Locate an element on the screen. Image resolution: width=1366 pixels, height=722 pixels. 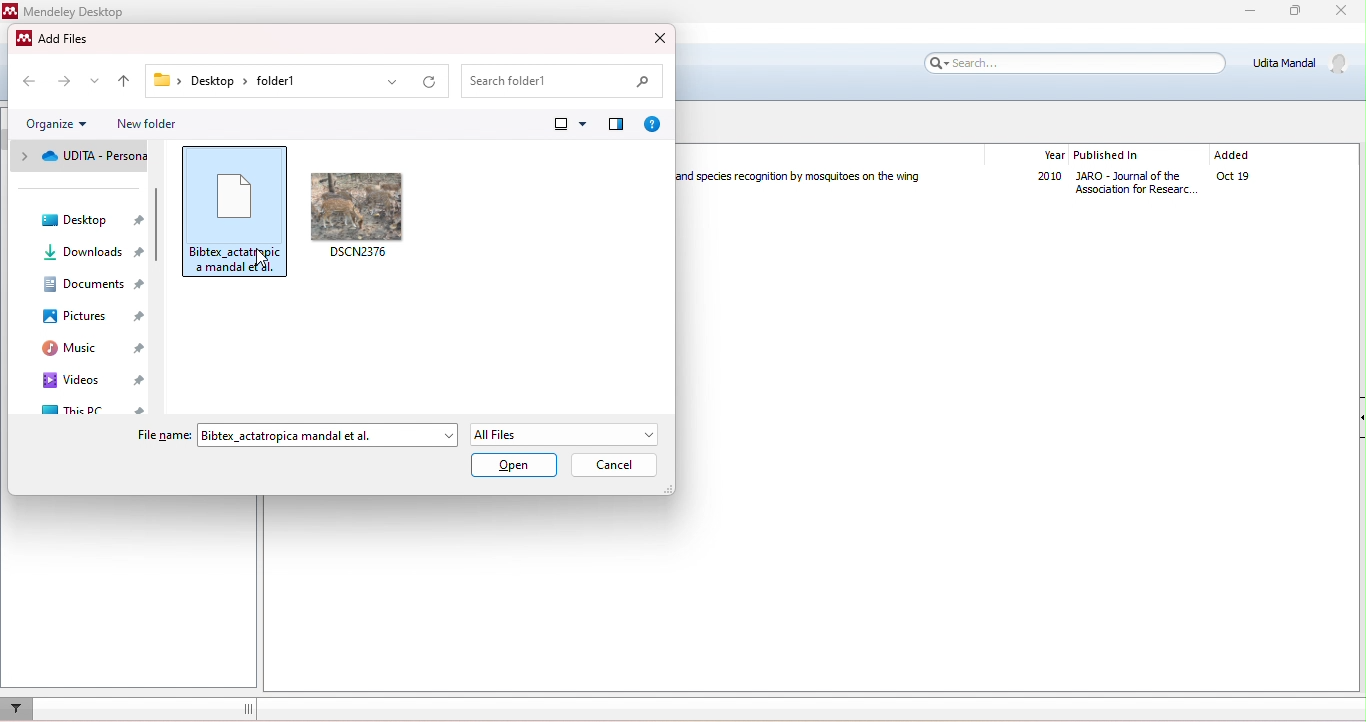
added is located at coordinates (1231, 156).